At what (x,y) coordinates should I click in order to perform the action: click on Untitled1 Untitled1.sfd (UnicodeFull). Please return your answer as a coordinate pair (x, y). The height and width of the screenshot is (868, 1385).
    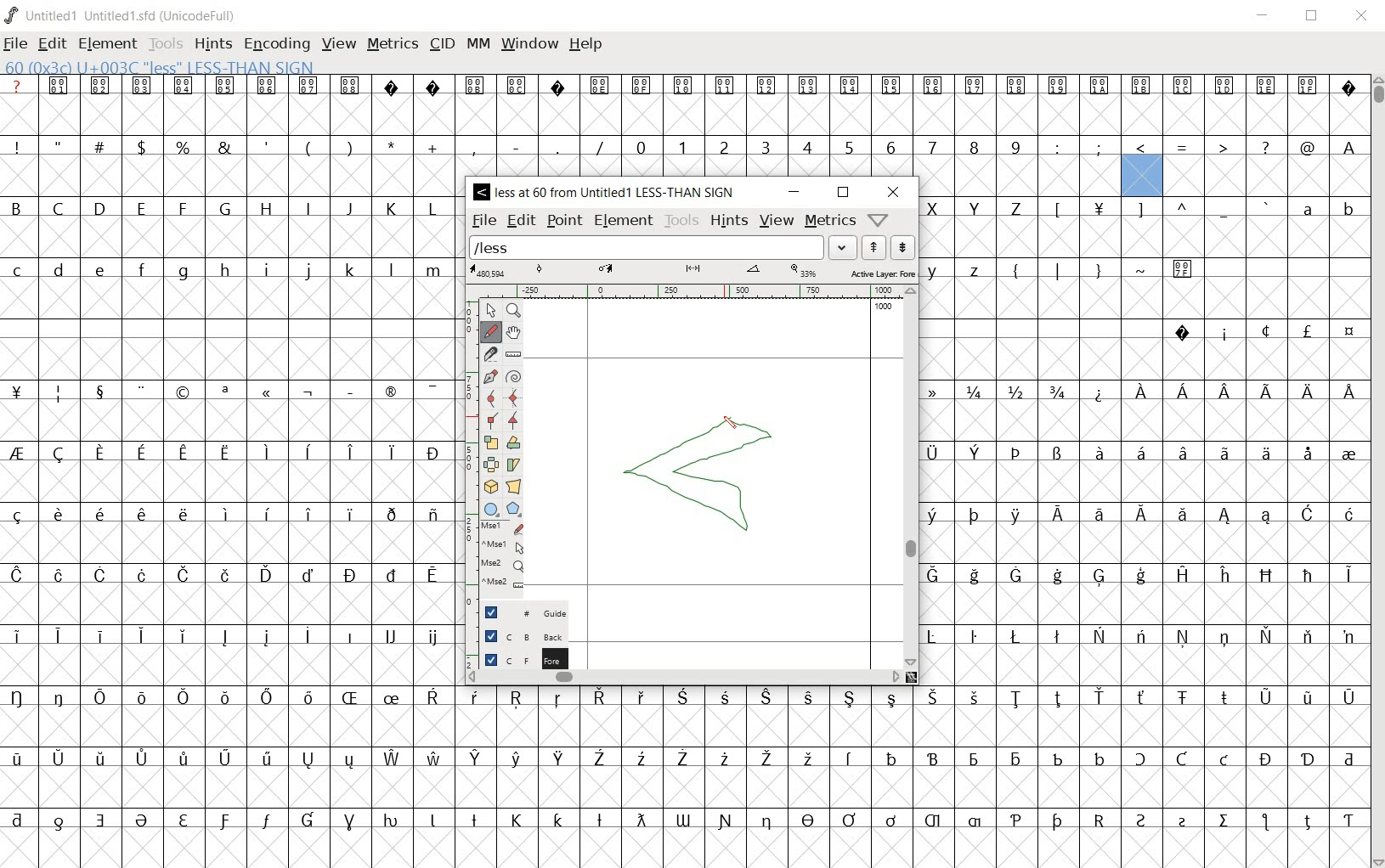
    Looking at the image, I should click on (124, 15).